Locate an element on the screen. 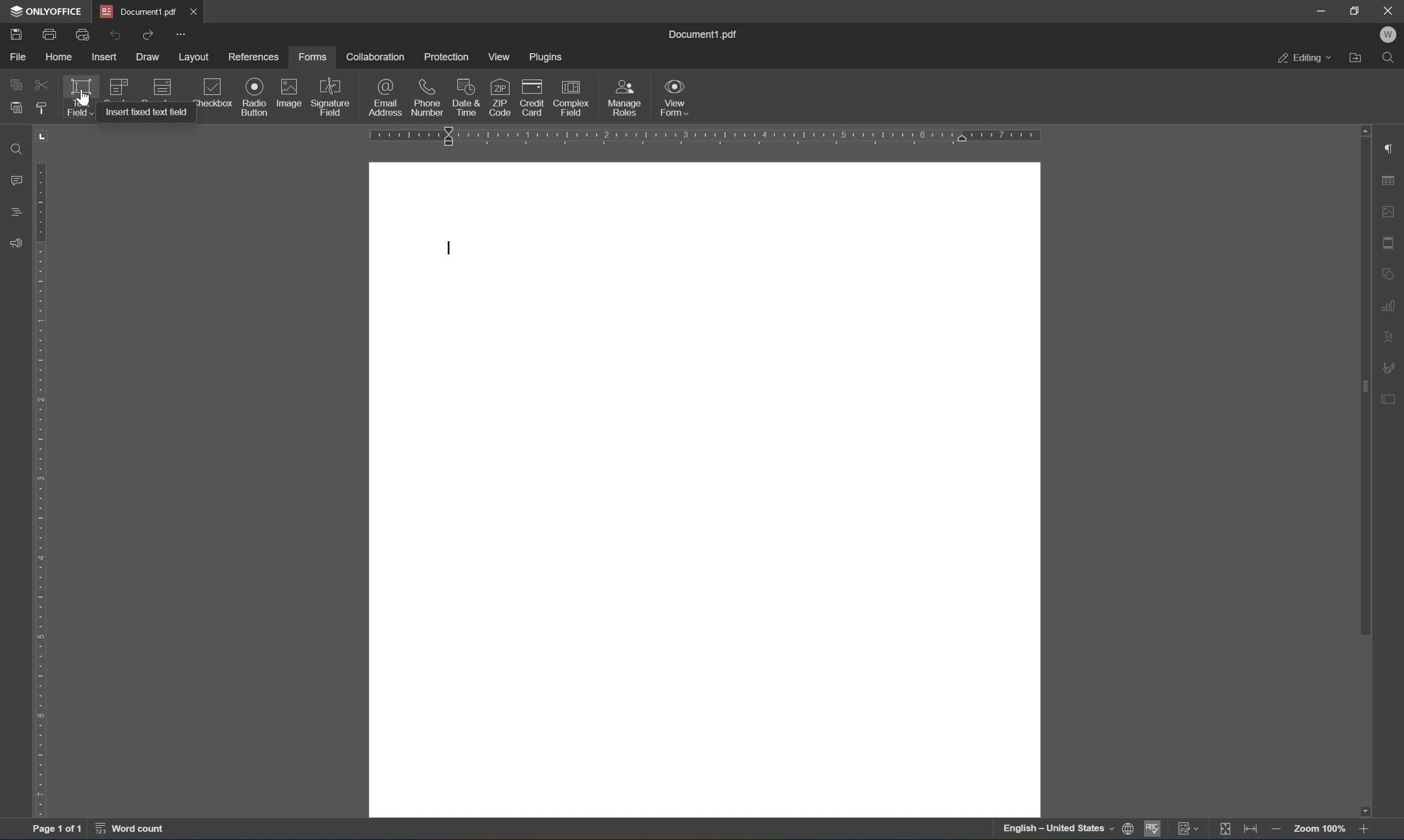 The width and height of the screenshot is (1404, 840). open file location is located at coordinates (1358, 58).